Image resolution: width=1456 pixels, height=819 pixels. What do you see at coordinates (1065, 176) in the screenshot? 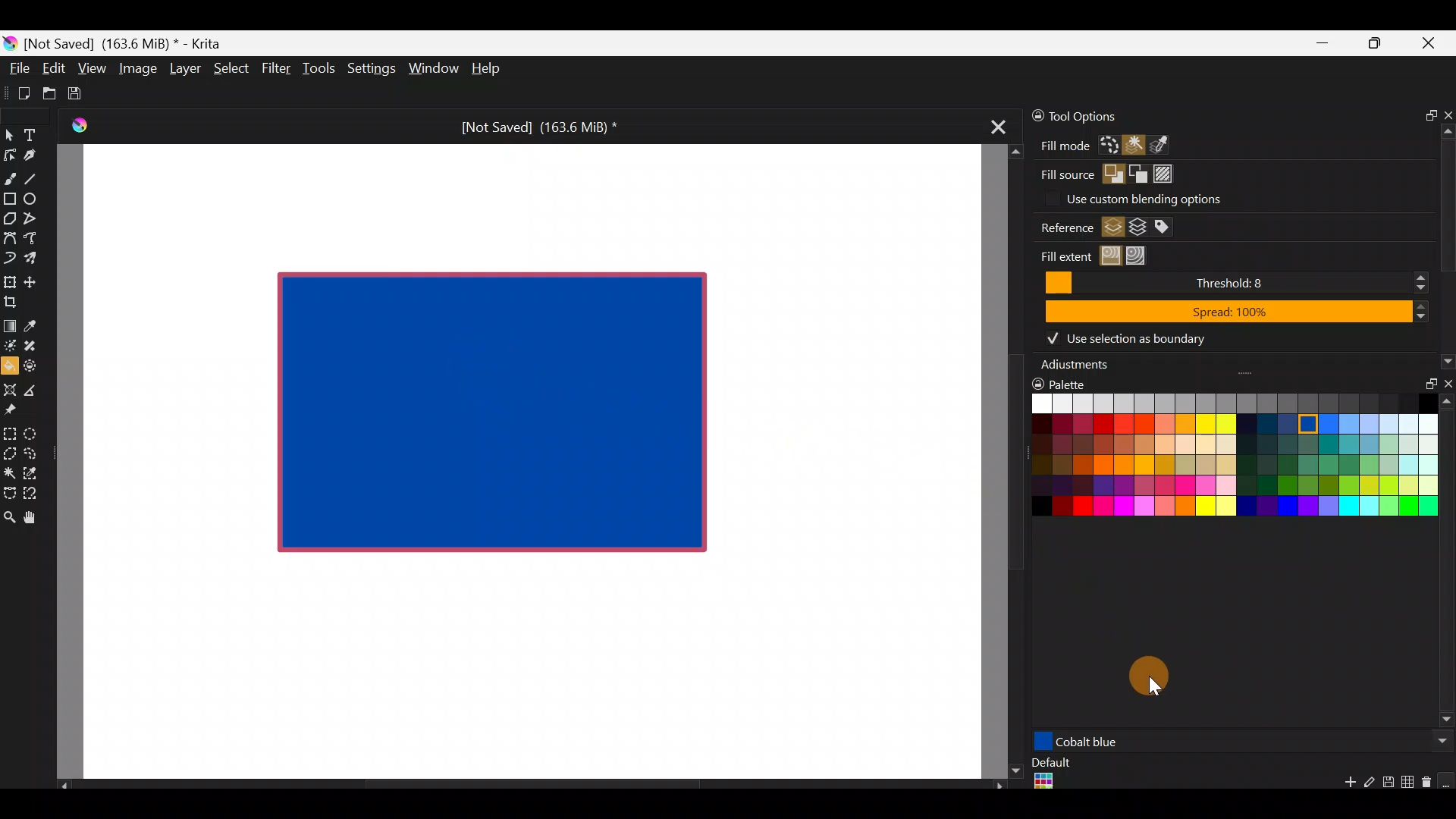
I see `Fill source` at bounding box center [1065, 176].